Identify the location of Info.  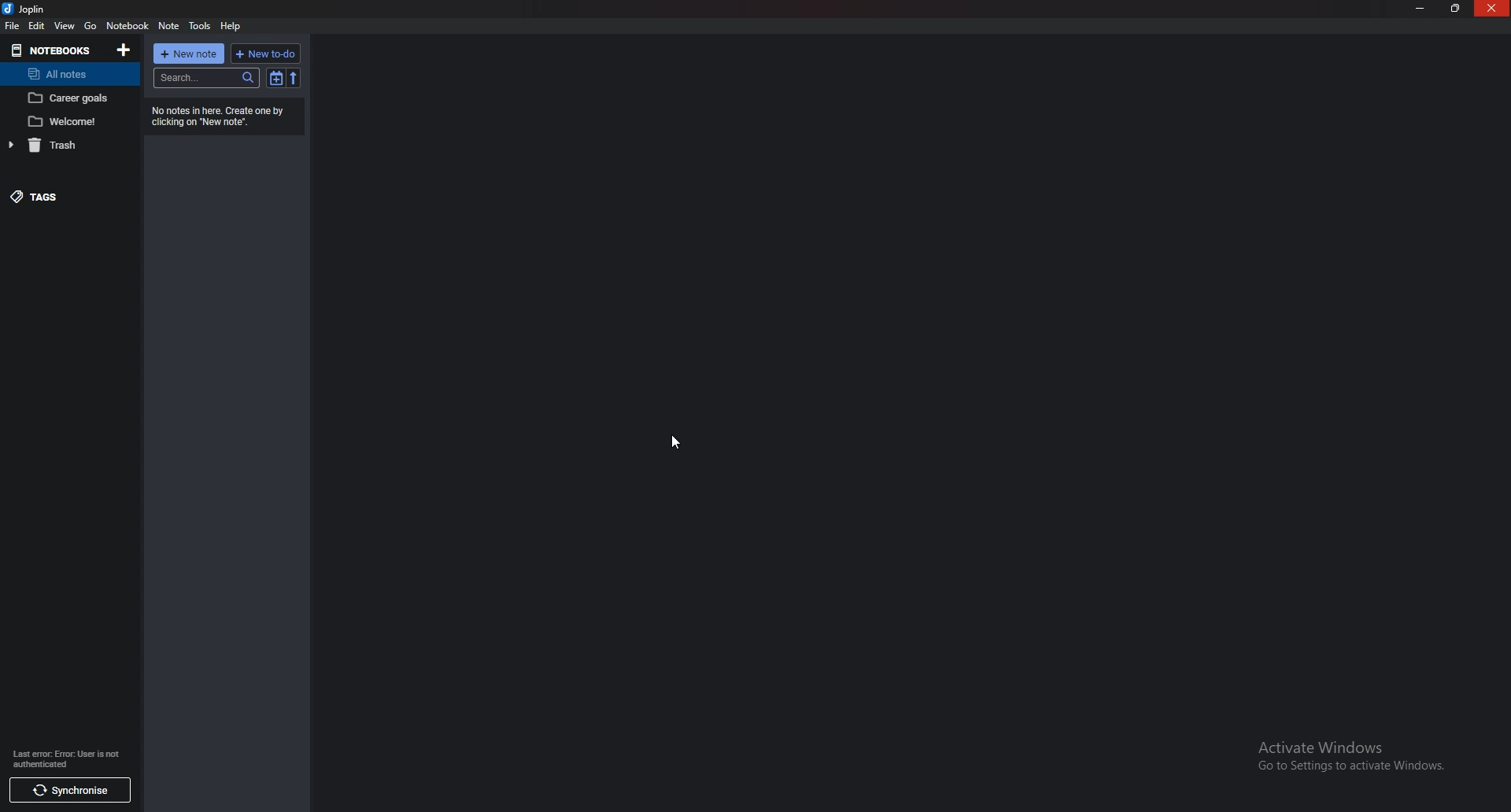
(66, 758).